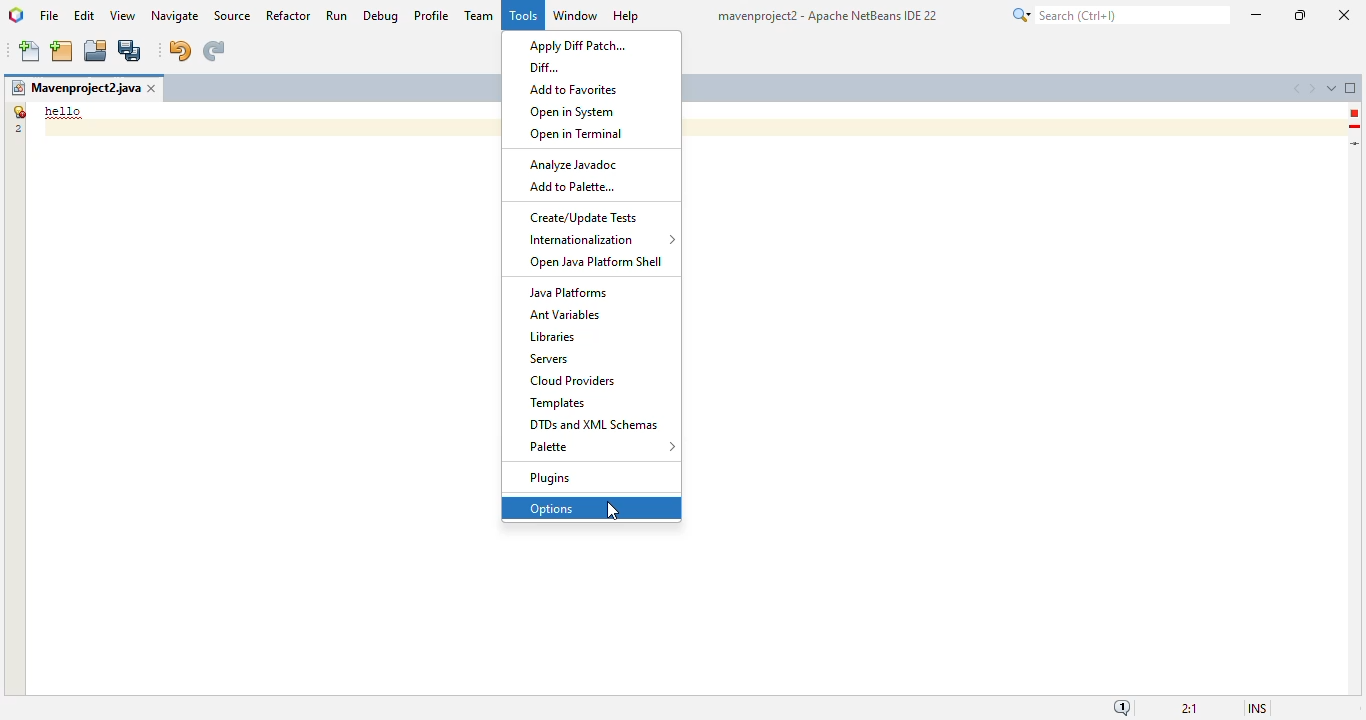  What do you see at coordinates (1356, 143) in the screenshot?
I see `current line` at bounding box center [1356, 143].